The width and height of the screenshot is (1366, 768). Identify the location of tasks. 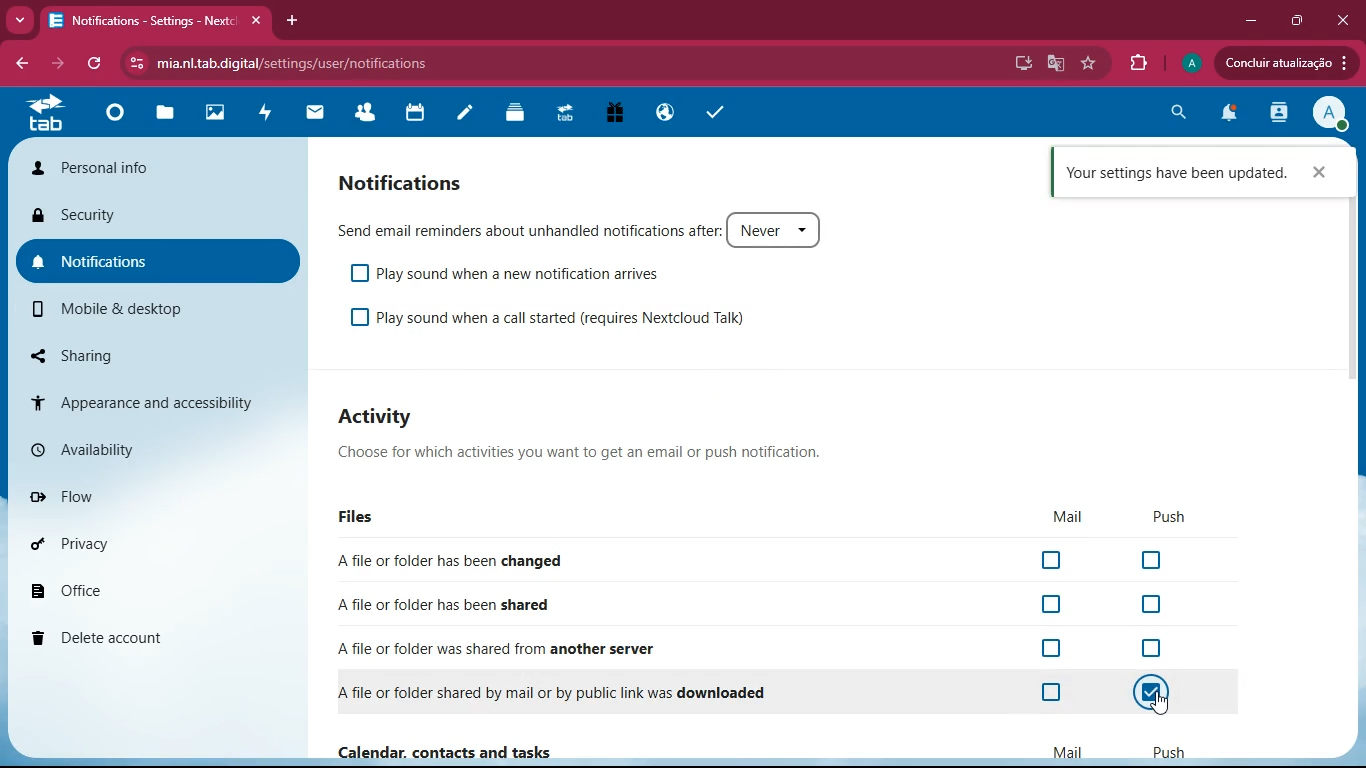
(715, 112).